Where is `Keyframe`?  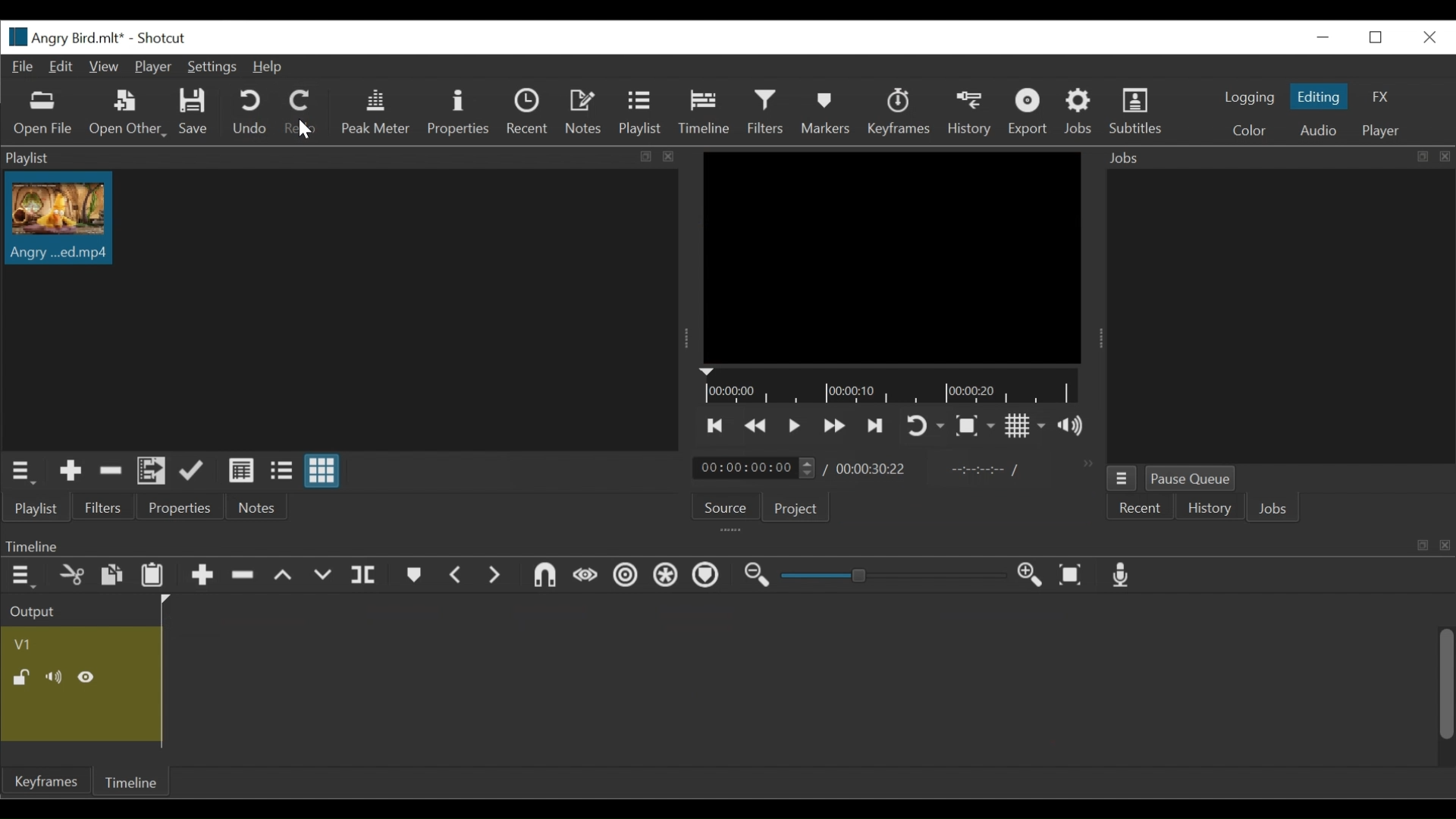
Keyframe is located at coordinates (45, 783).